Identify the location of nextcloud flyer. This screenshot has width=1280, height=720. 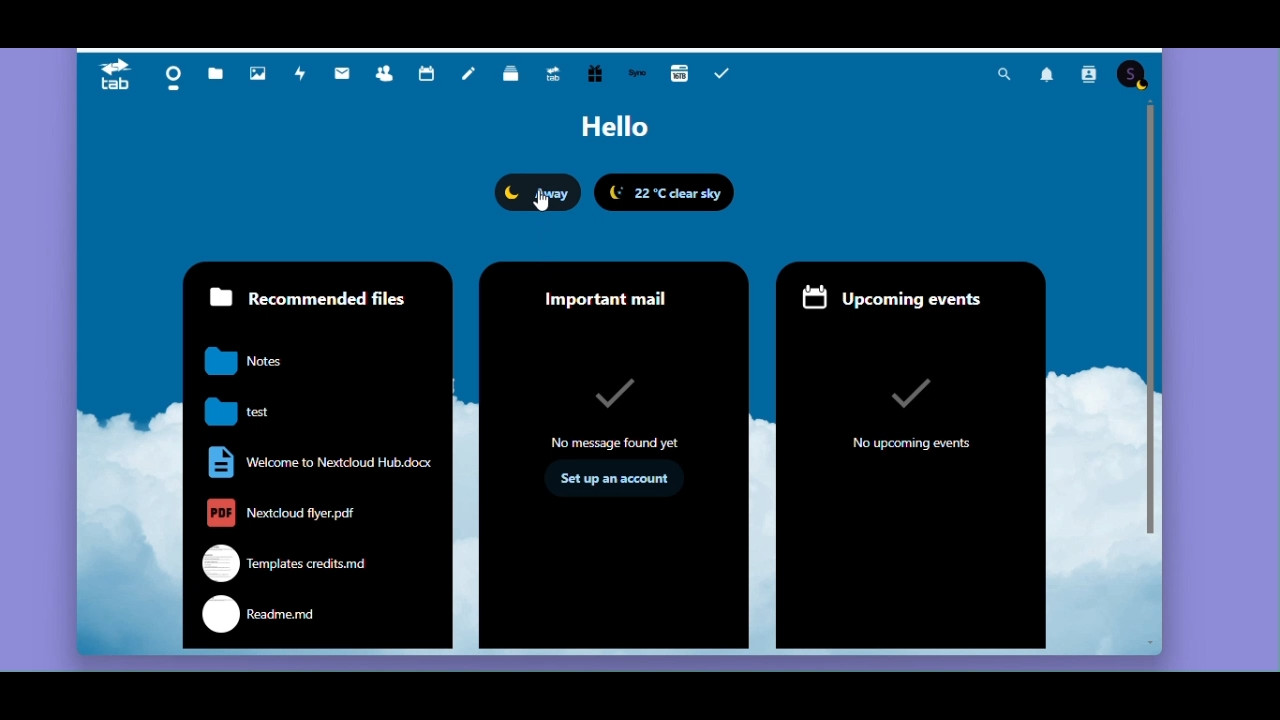
(291, 512).